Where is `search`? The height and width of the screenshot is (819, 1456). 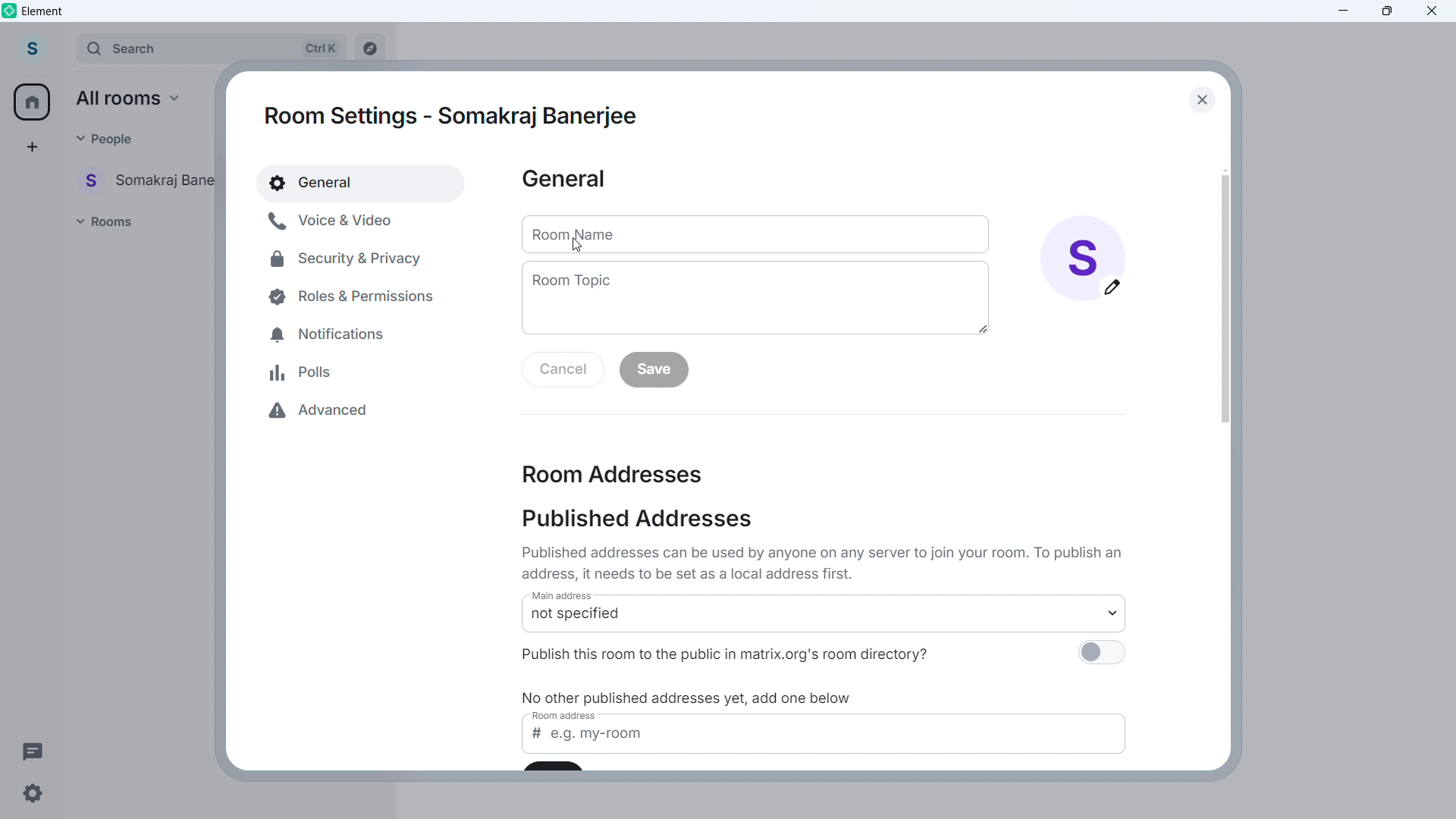 search is located at coordinates (212, 48).